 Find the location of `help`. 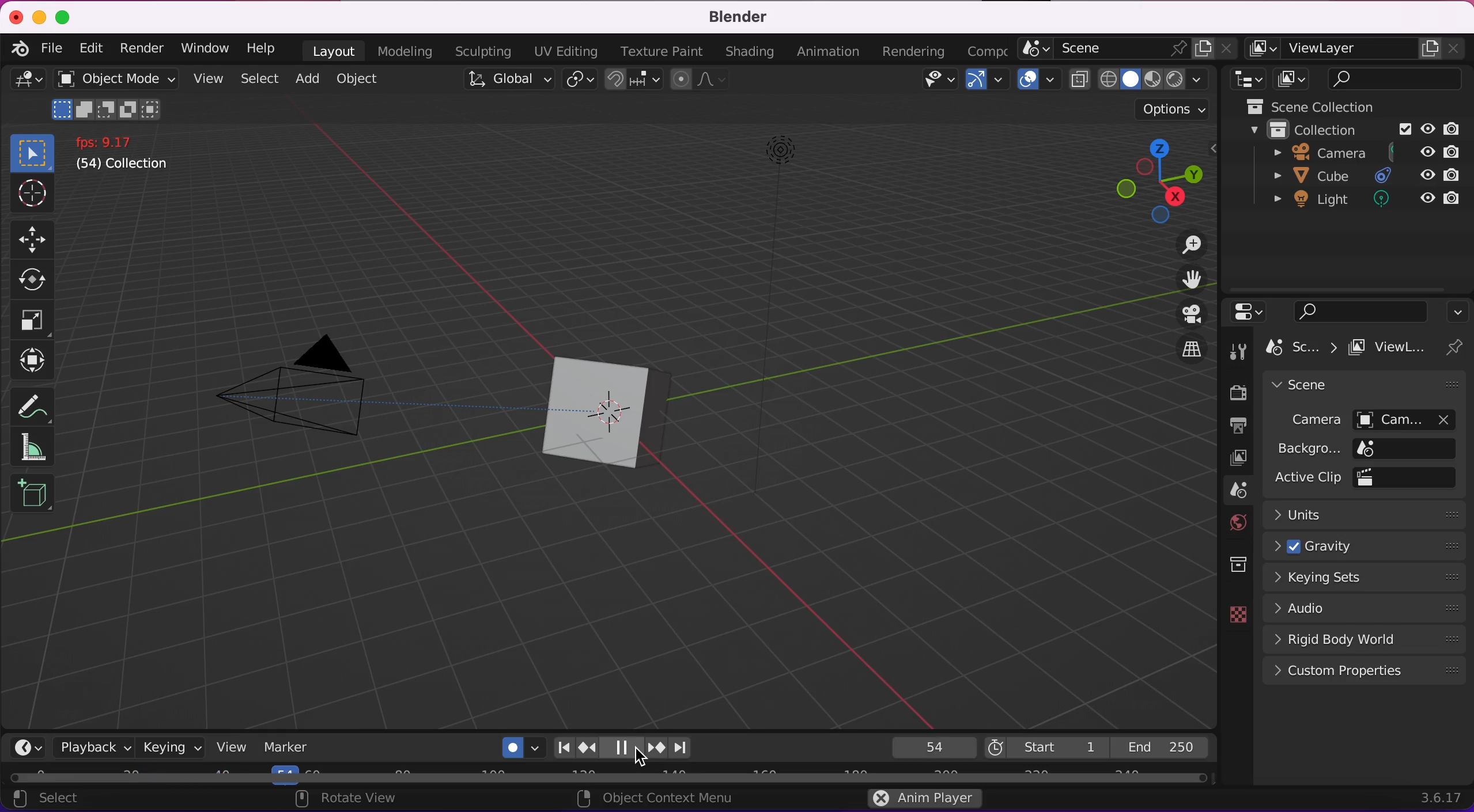

help is located at coordinates (268, 48).